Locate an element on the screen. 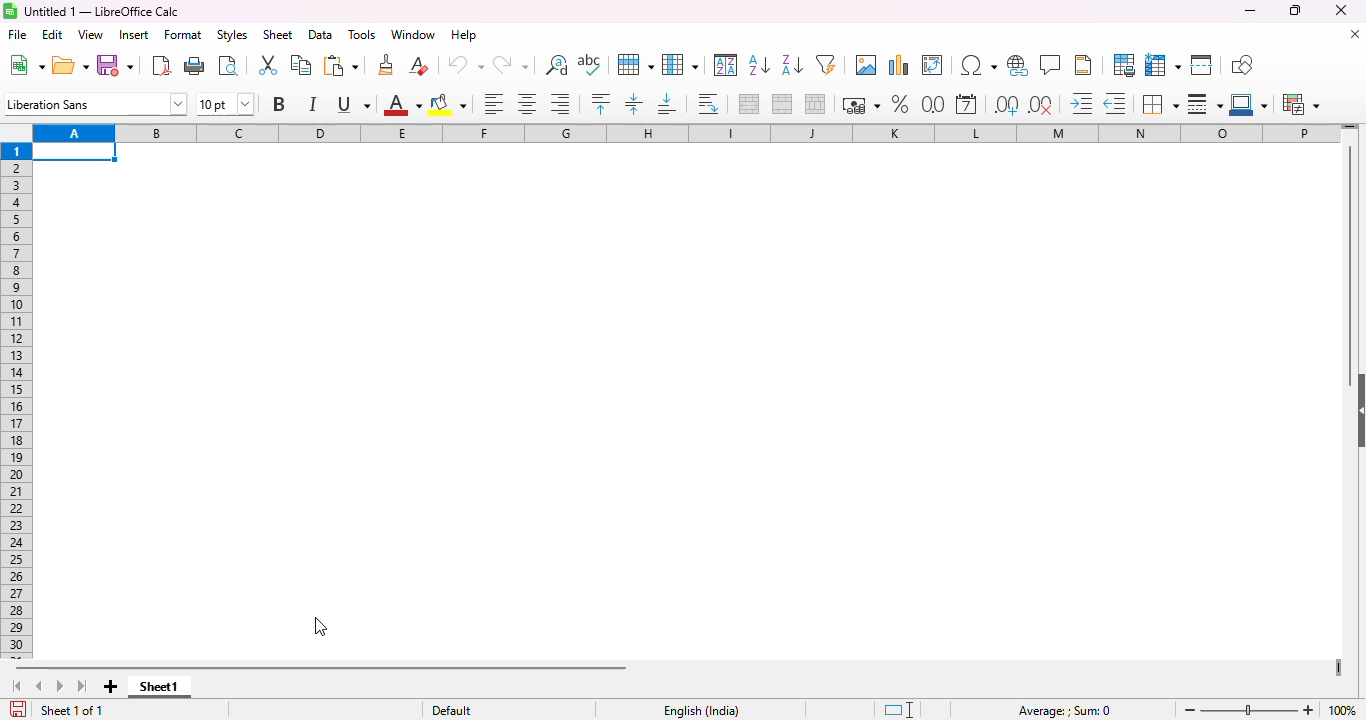 The height and width of the screenshot is (720, 1366). border style is located at coordinates (1205, 103).